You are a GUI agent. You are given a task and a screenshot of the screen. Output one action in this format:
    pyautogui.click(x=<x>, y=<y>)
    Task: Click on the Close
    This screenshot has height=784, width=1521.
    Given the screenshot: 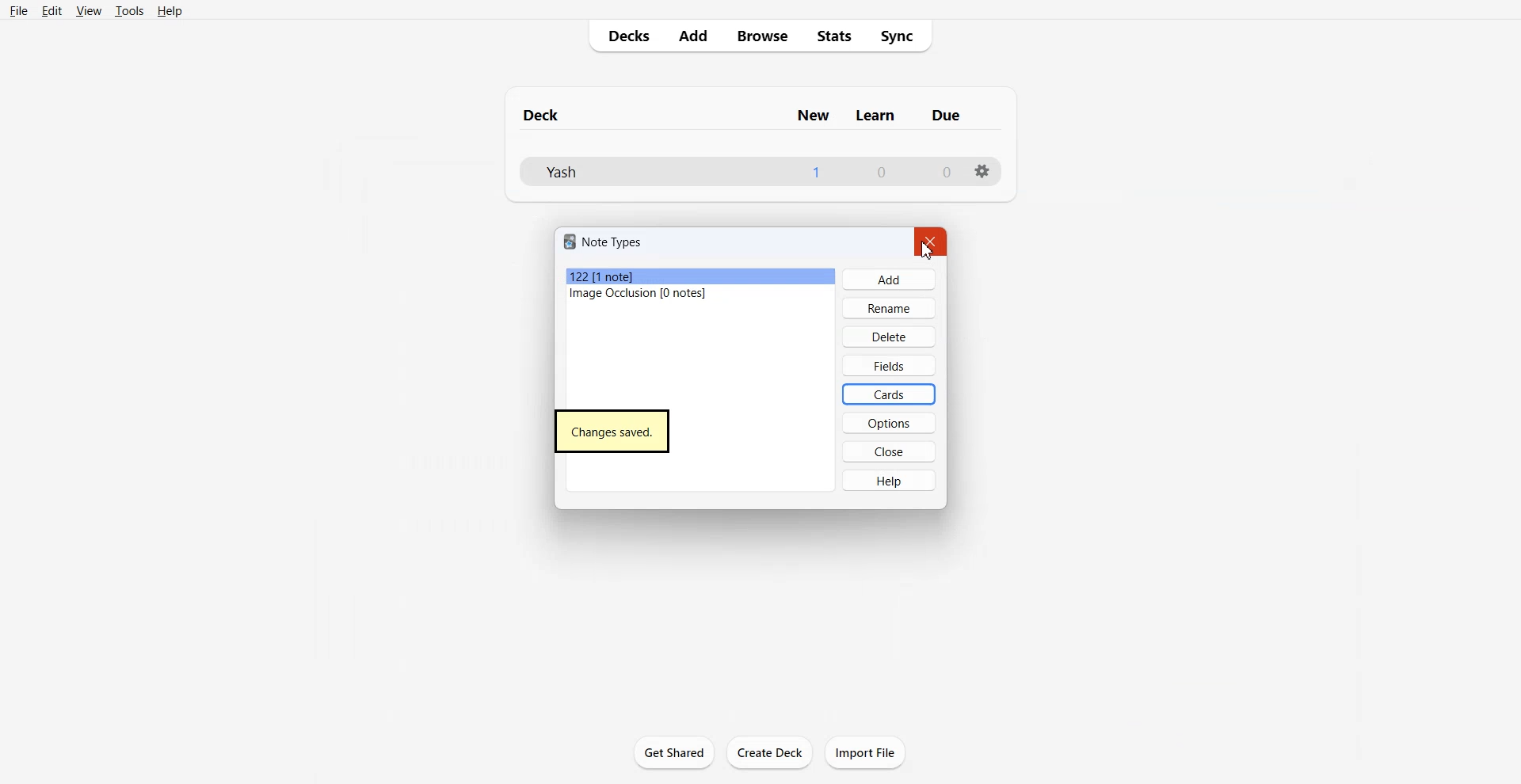 What is the action you would take?
    pyautogui.click(x=934, y=242)
    